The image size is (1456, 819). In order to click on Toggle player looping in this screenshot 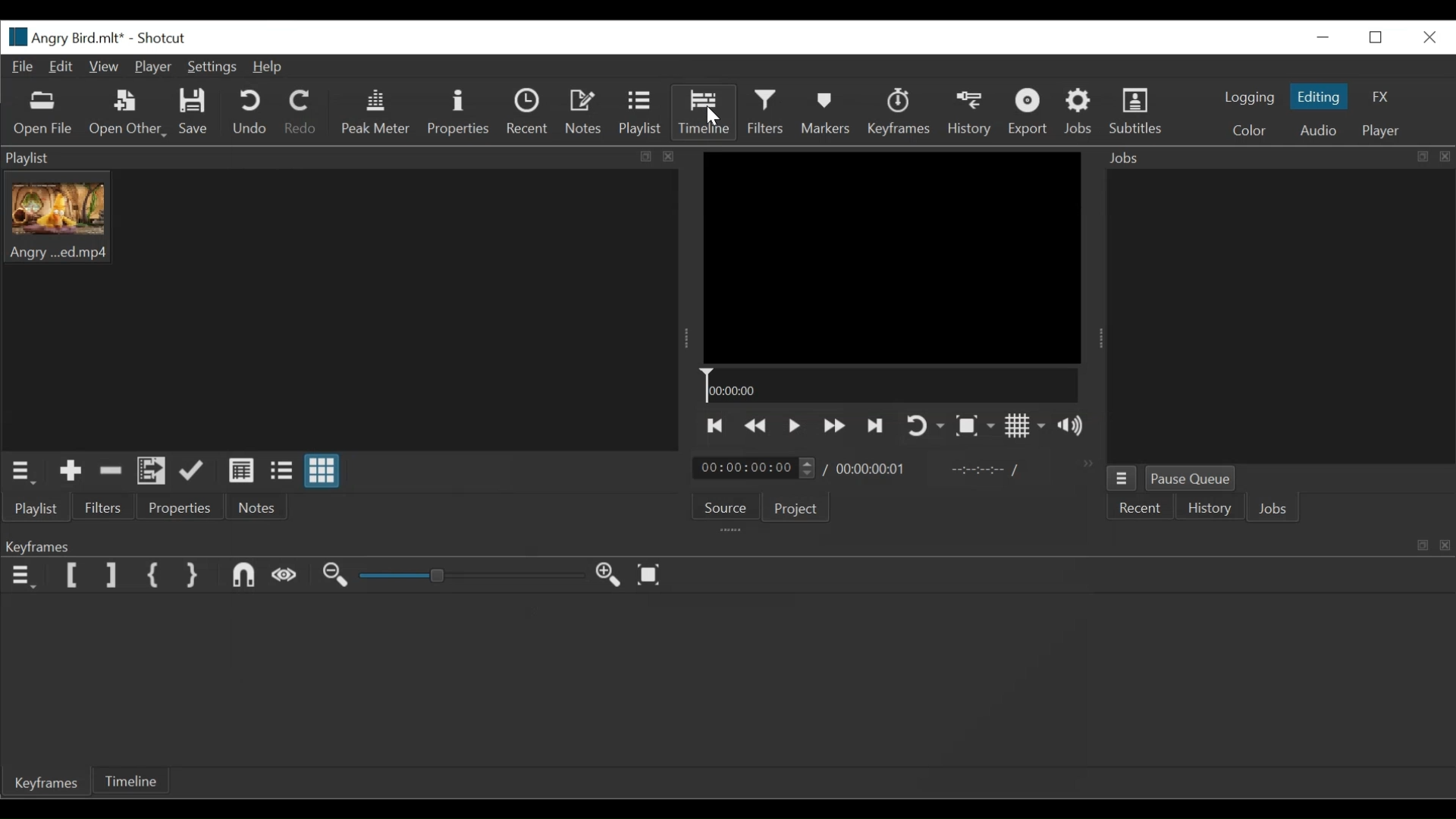, I will do `click(923, 425)`.